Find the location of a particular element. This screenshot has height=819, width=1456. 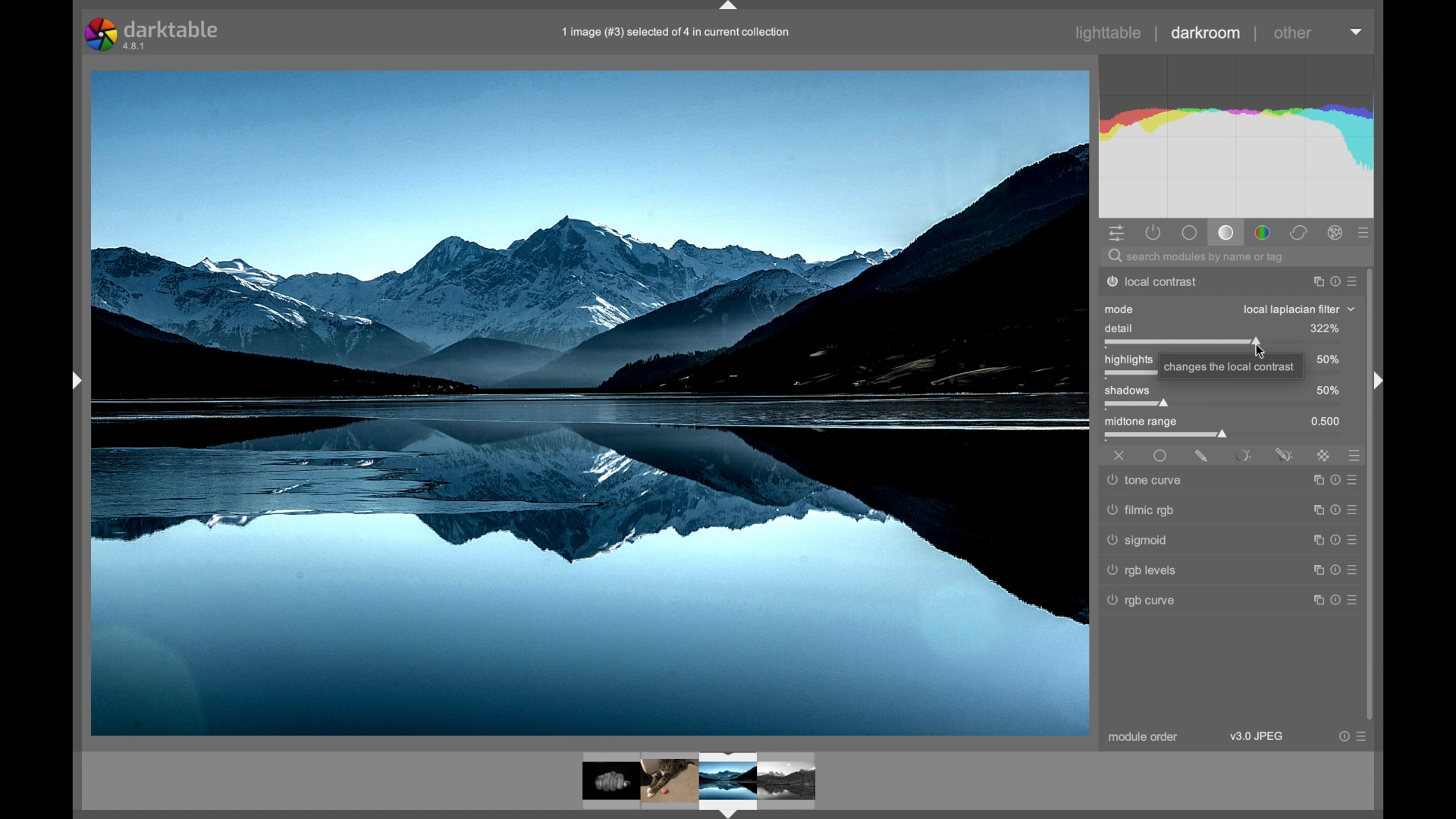

tooltip is located at coordinates (1232, 366).